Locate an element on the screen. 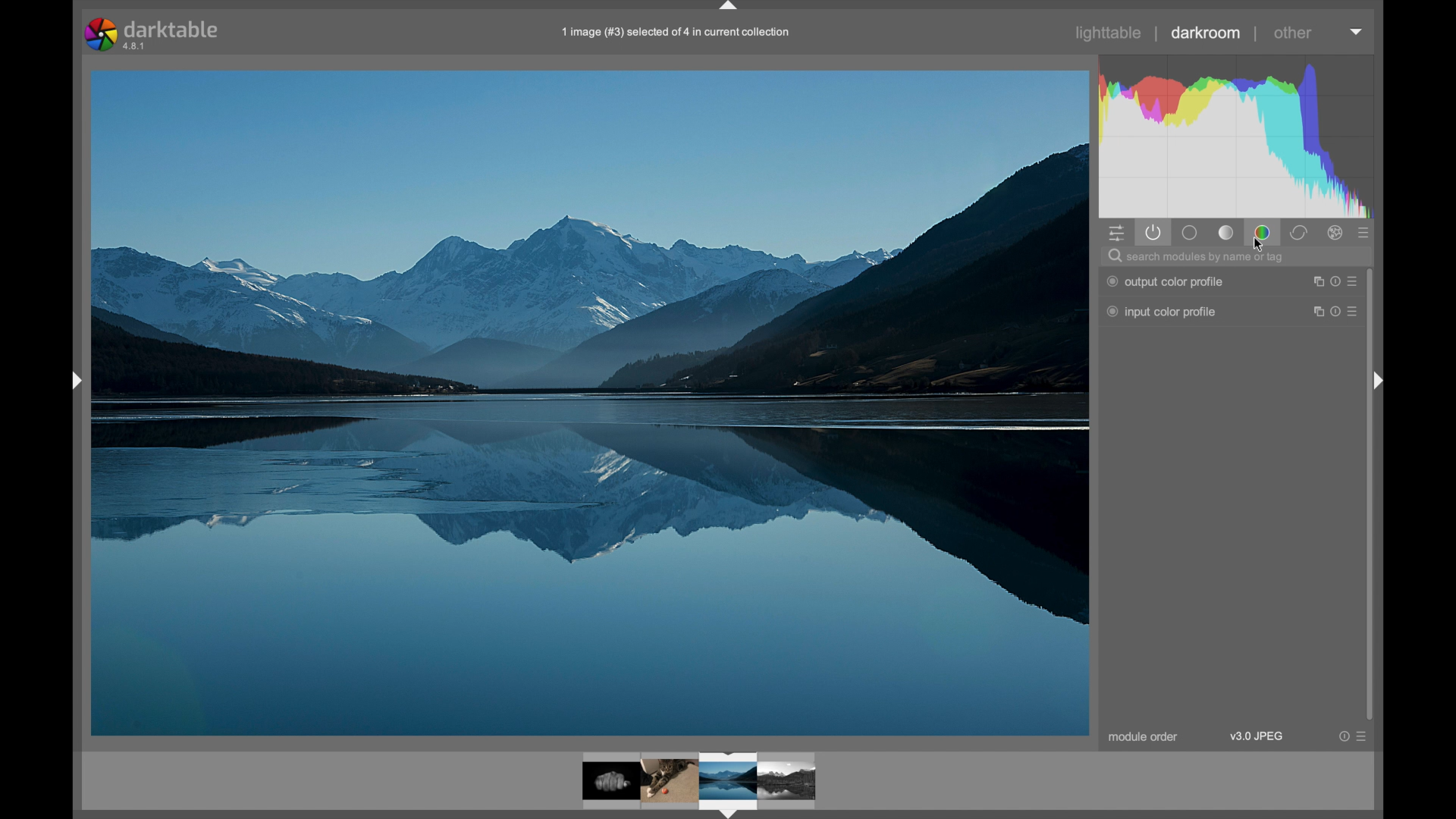  other is located at coordinates (1293, 34).